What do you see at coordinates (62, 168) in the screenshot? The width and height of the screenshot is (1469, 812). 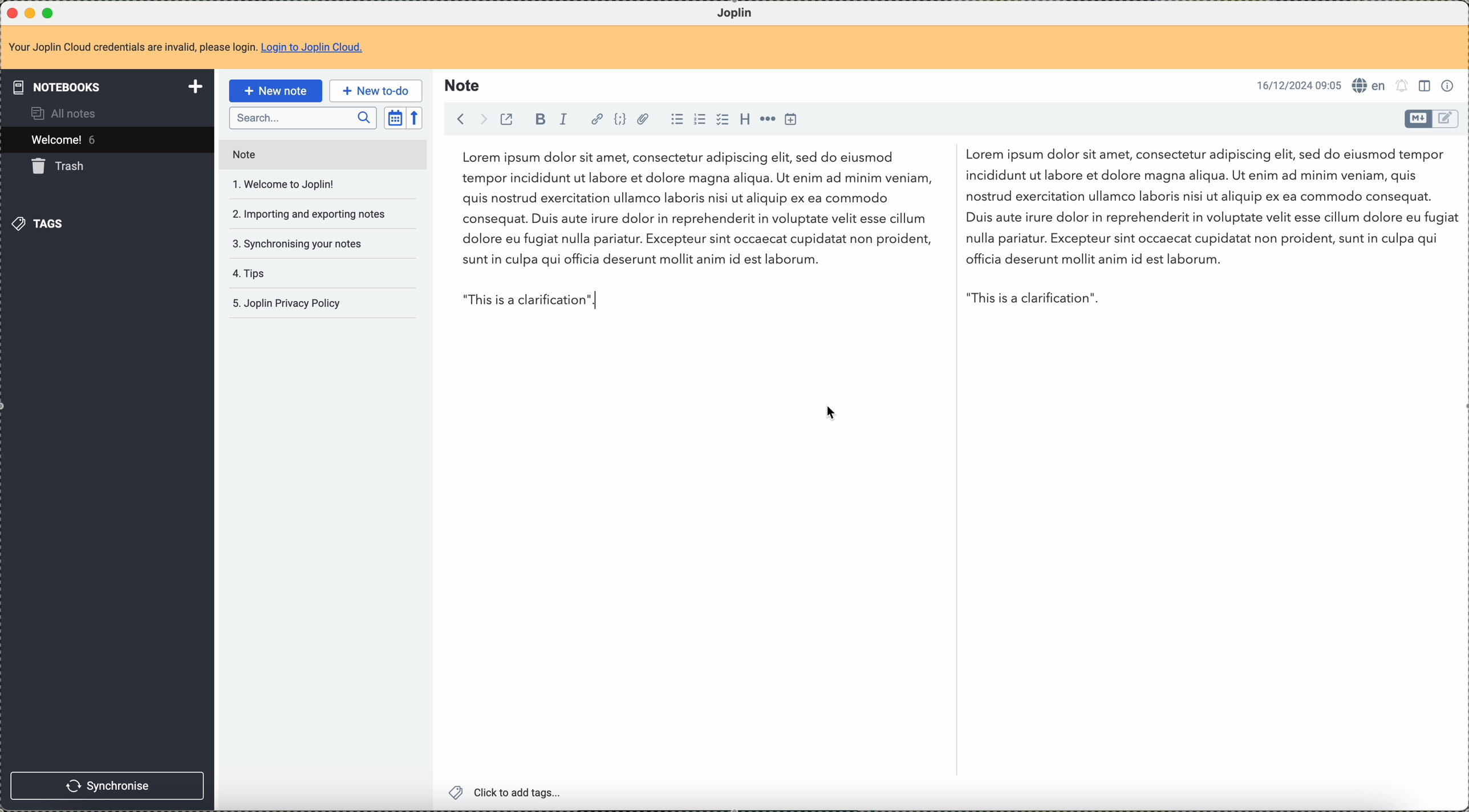 I see `trash` at bounding box center [62, 168].